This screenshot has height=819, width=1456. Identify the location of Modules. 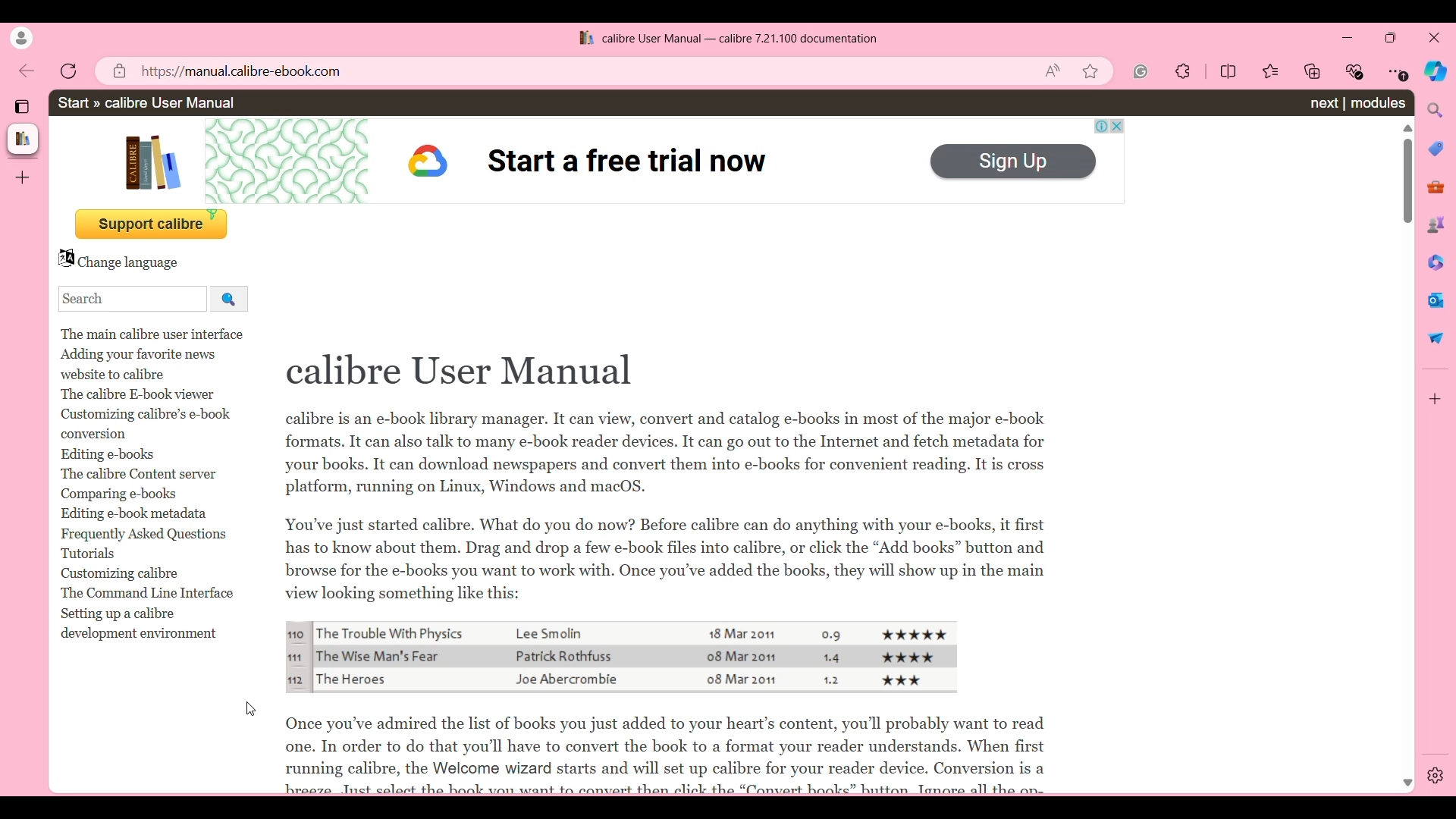
(1378, 102).